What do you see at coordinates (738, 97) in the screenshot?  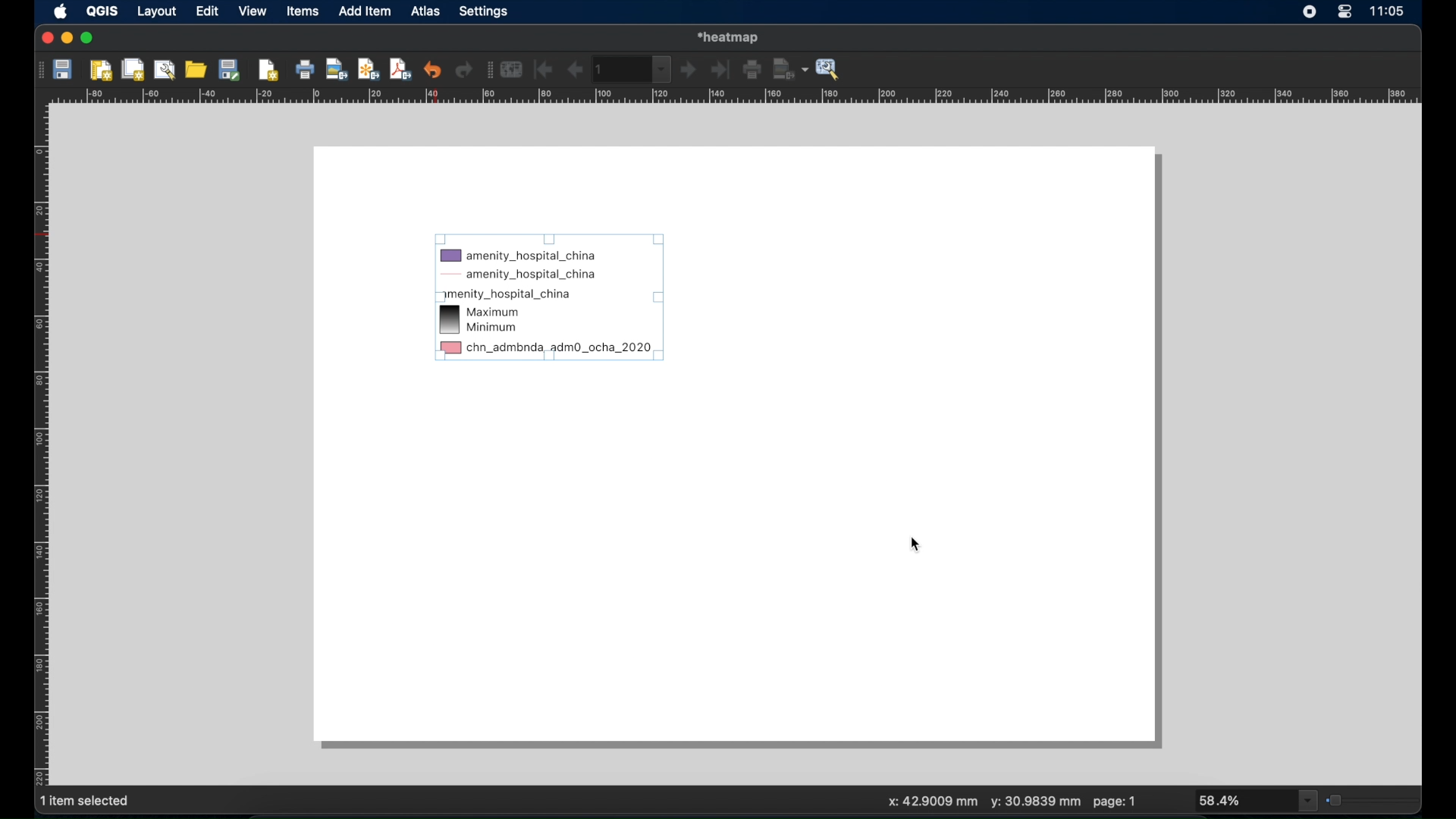 I see `margin` at bounding box center [738, 97].